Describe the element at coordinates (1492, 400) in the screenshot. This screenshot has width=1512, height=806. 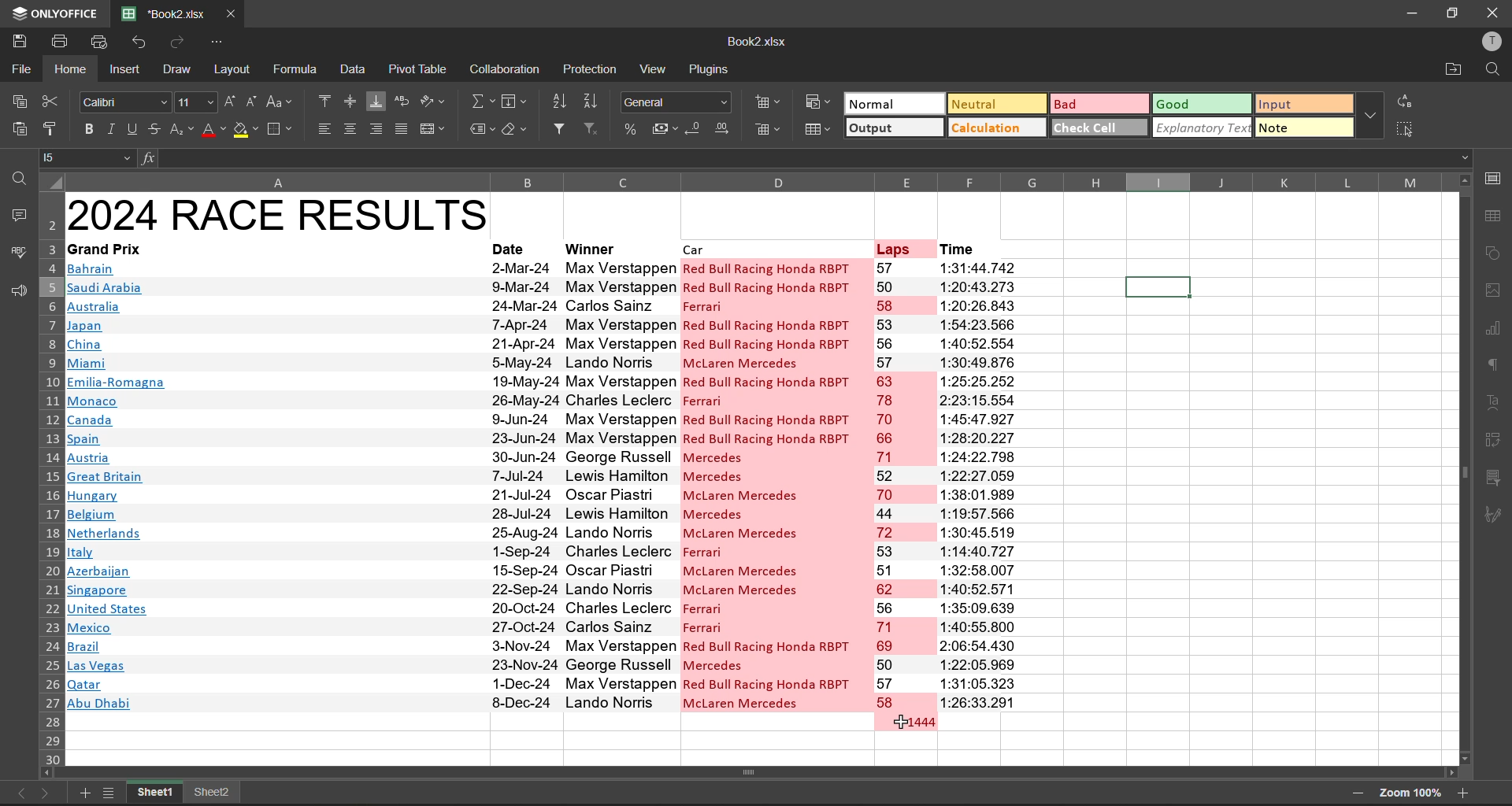
I see `text` at that location.